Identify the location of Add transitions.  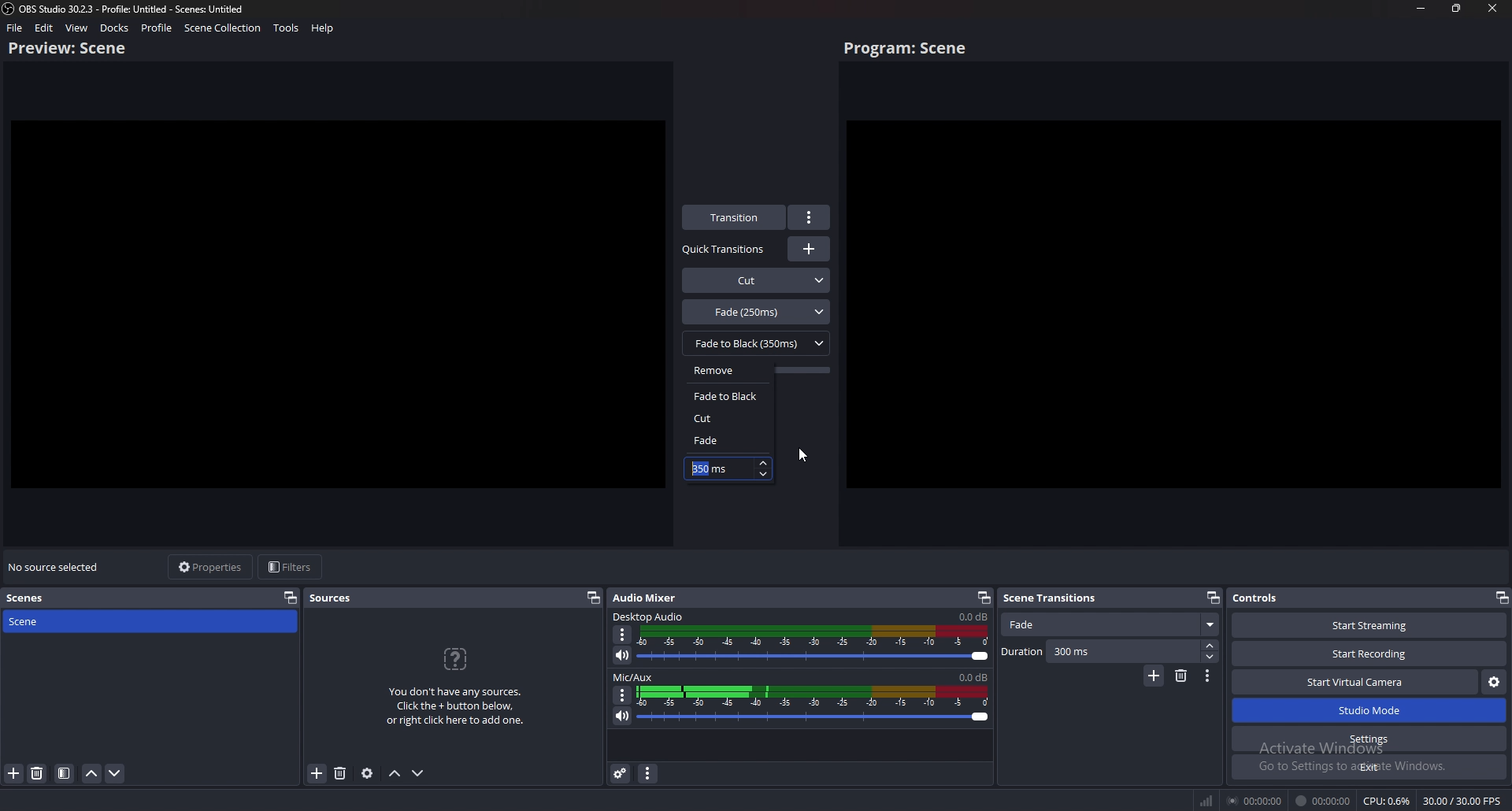
(809, 249).